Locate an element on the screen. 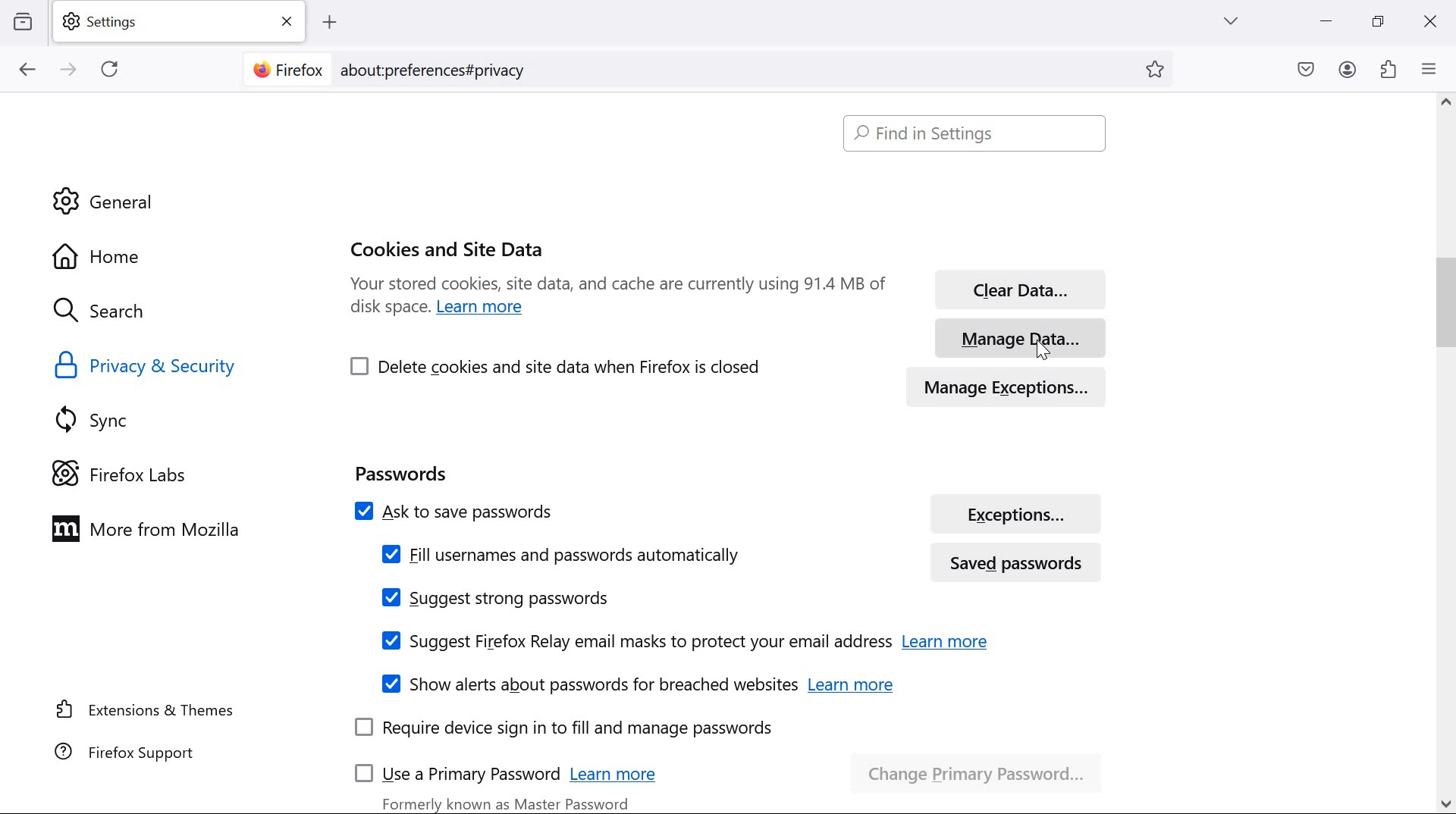 This screenshot has width=1456, height=814. Cookies and Site Data is located at coordinates (450, 246).